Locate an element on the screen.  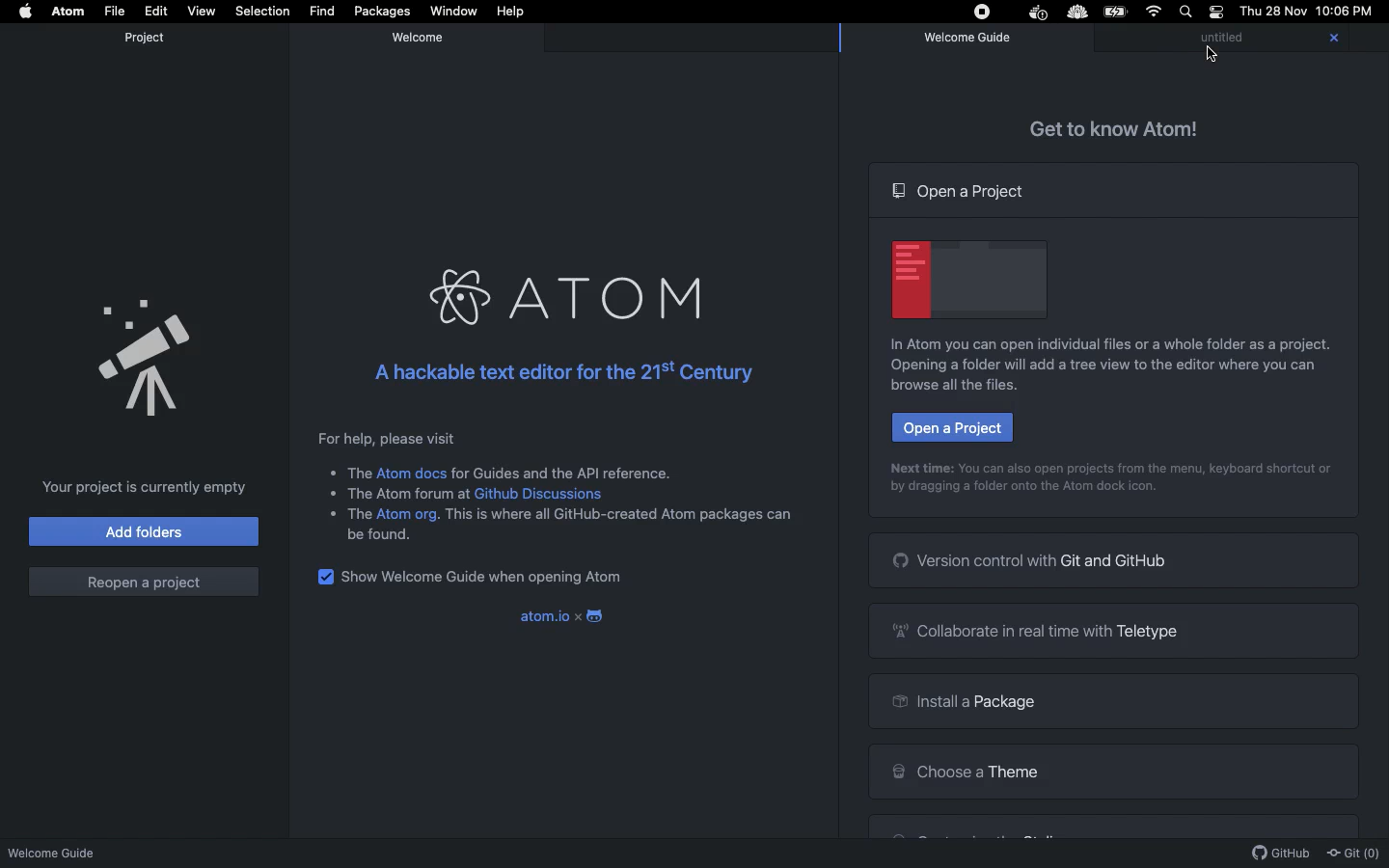
Screen is located at coordinates (963, 279).